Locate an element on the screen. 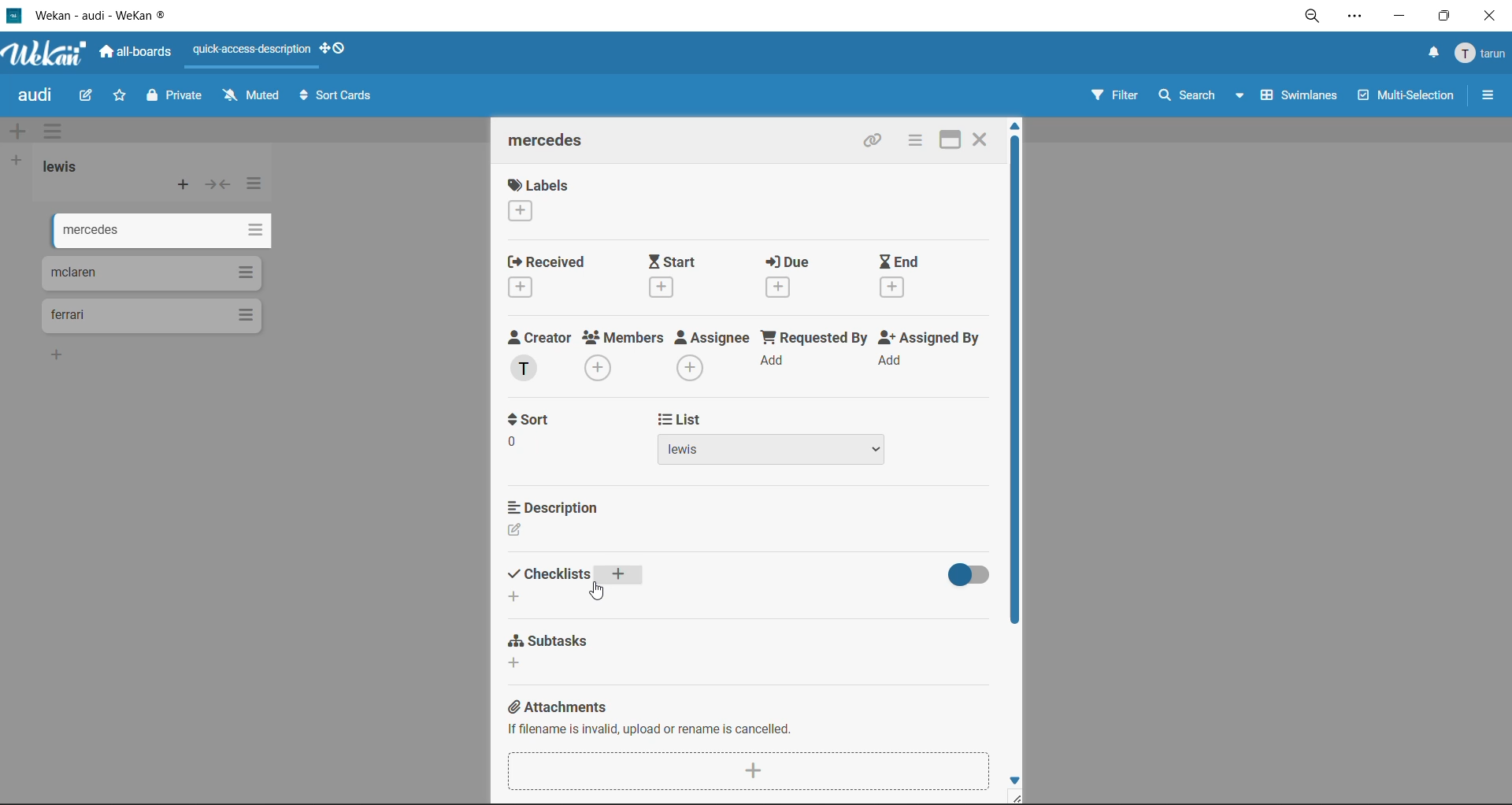 Image resolution: width=1512 pixels, height=805 pixels. maximize is located at coordinates (1440, 20).